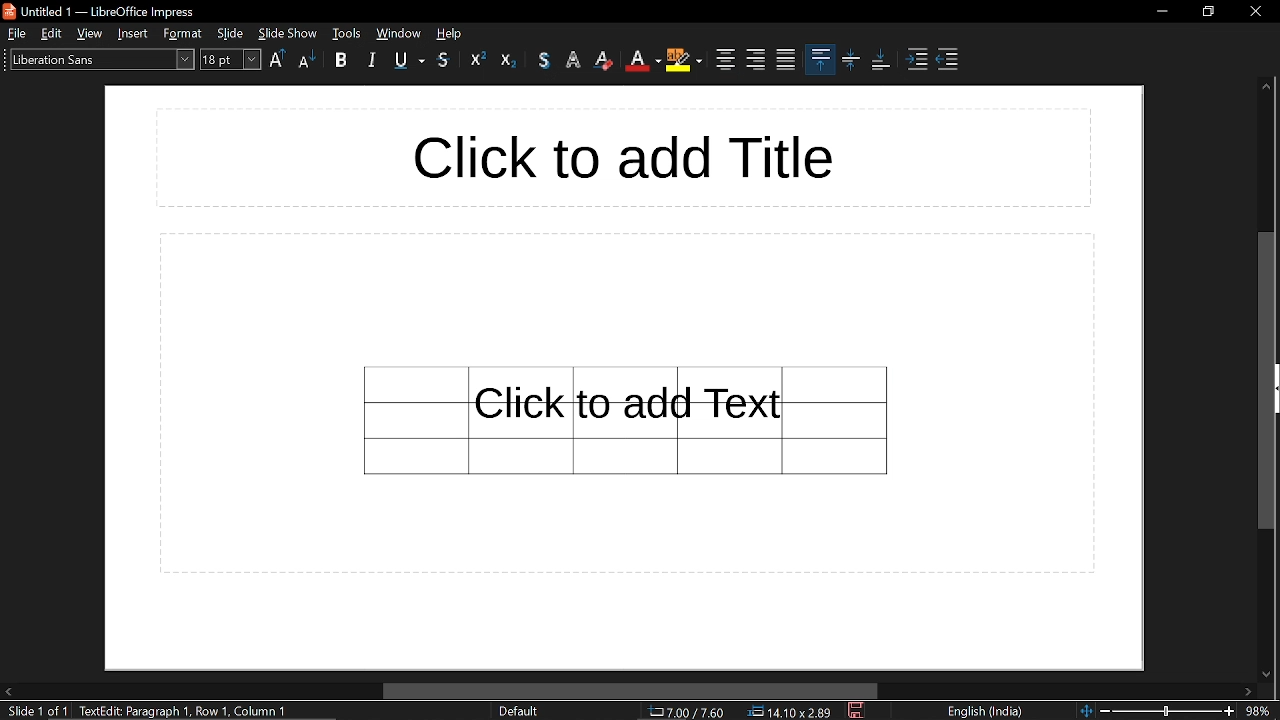  I want to click on title space, so click(620, 157).